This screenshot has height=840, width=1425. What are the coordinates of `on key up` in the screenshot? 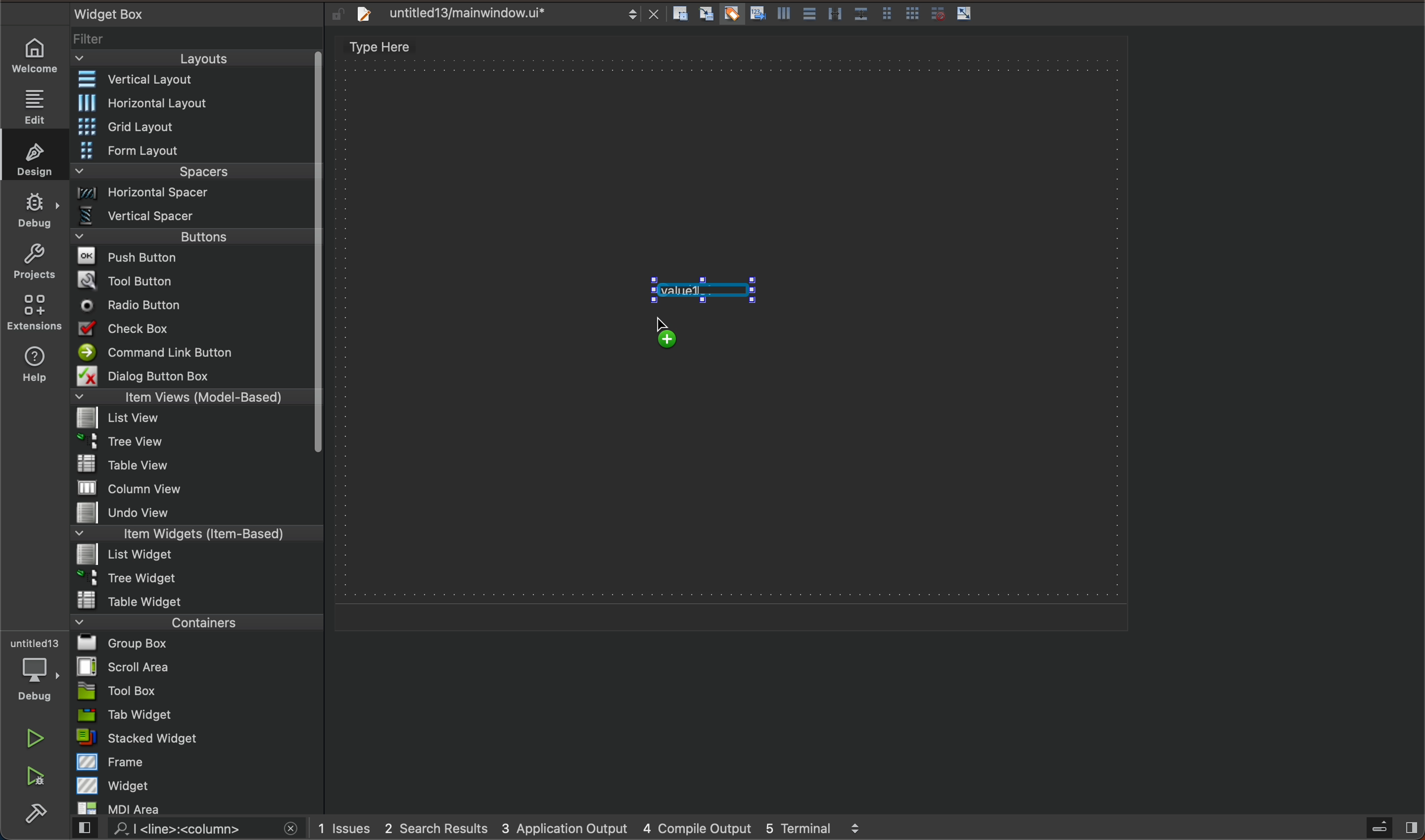 It's located at (726, 331).